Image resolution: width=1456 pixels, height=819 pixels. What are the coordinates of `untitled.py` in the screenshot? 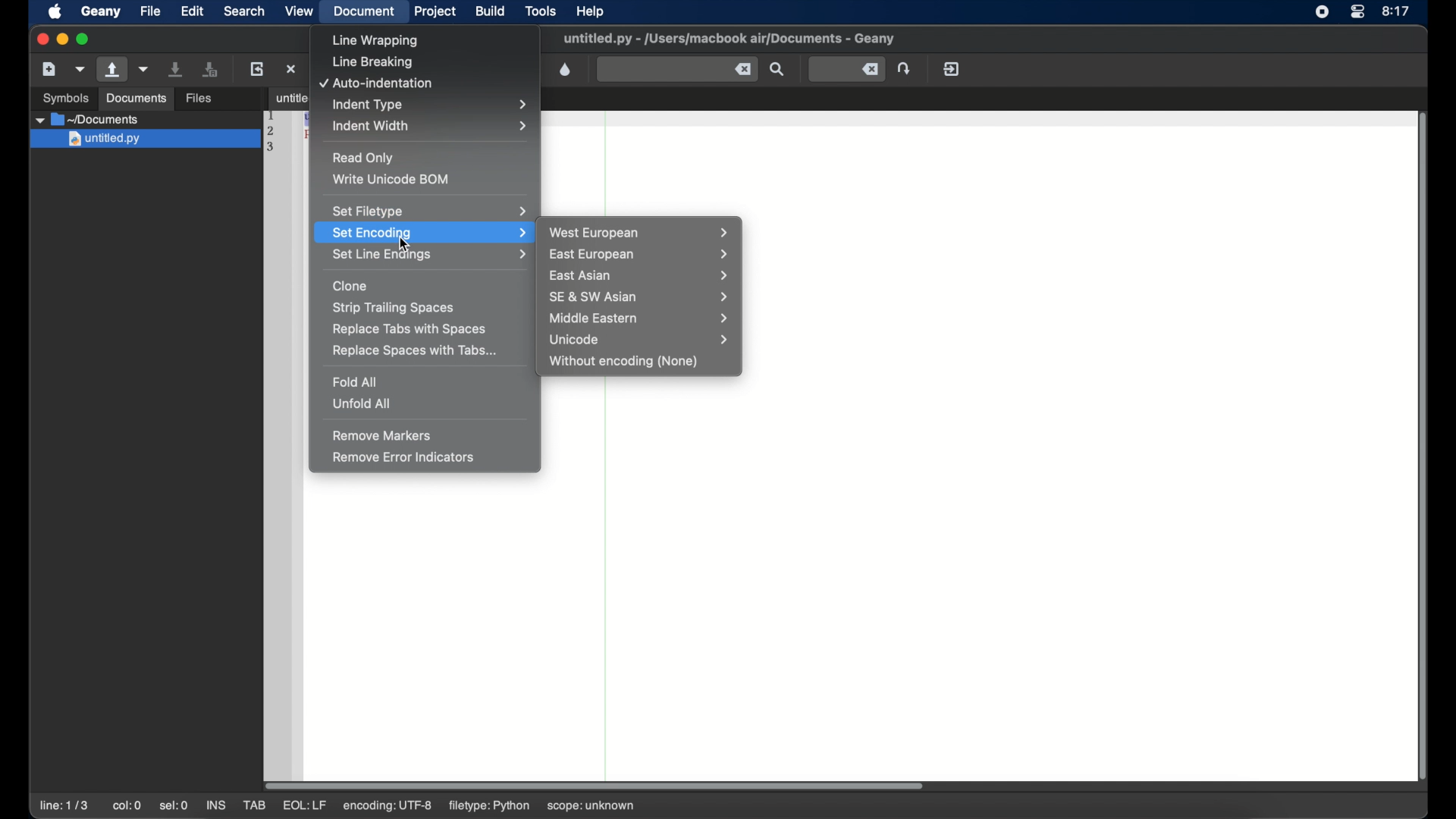 It's located at (148, 119).